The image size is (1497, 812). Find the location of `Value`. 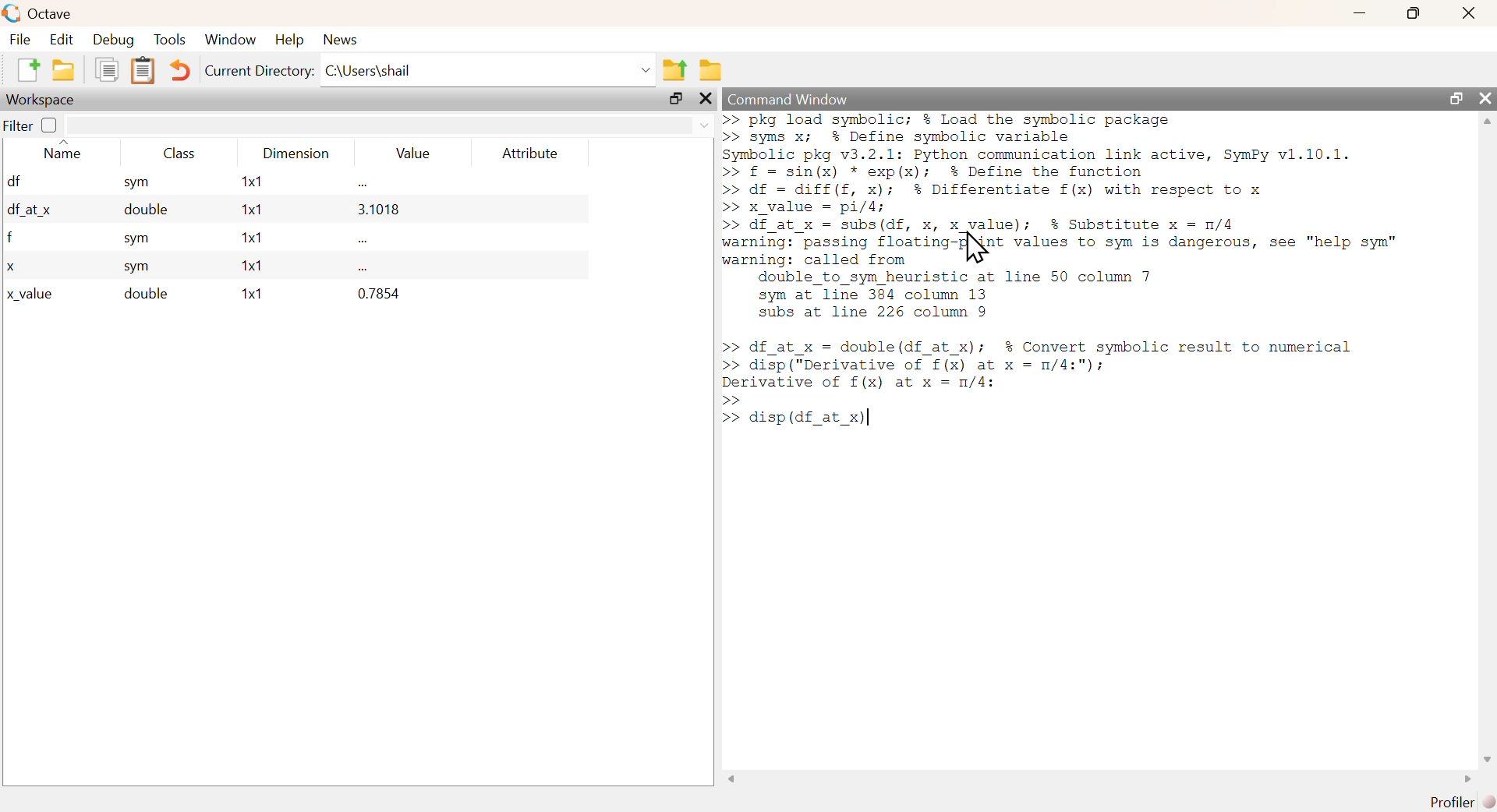

Value is located at coordinates (409, 153).